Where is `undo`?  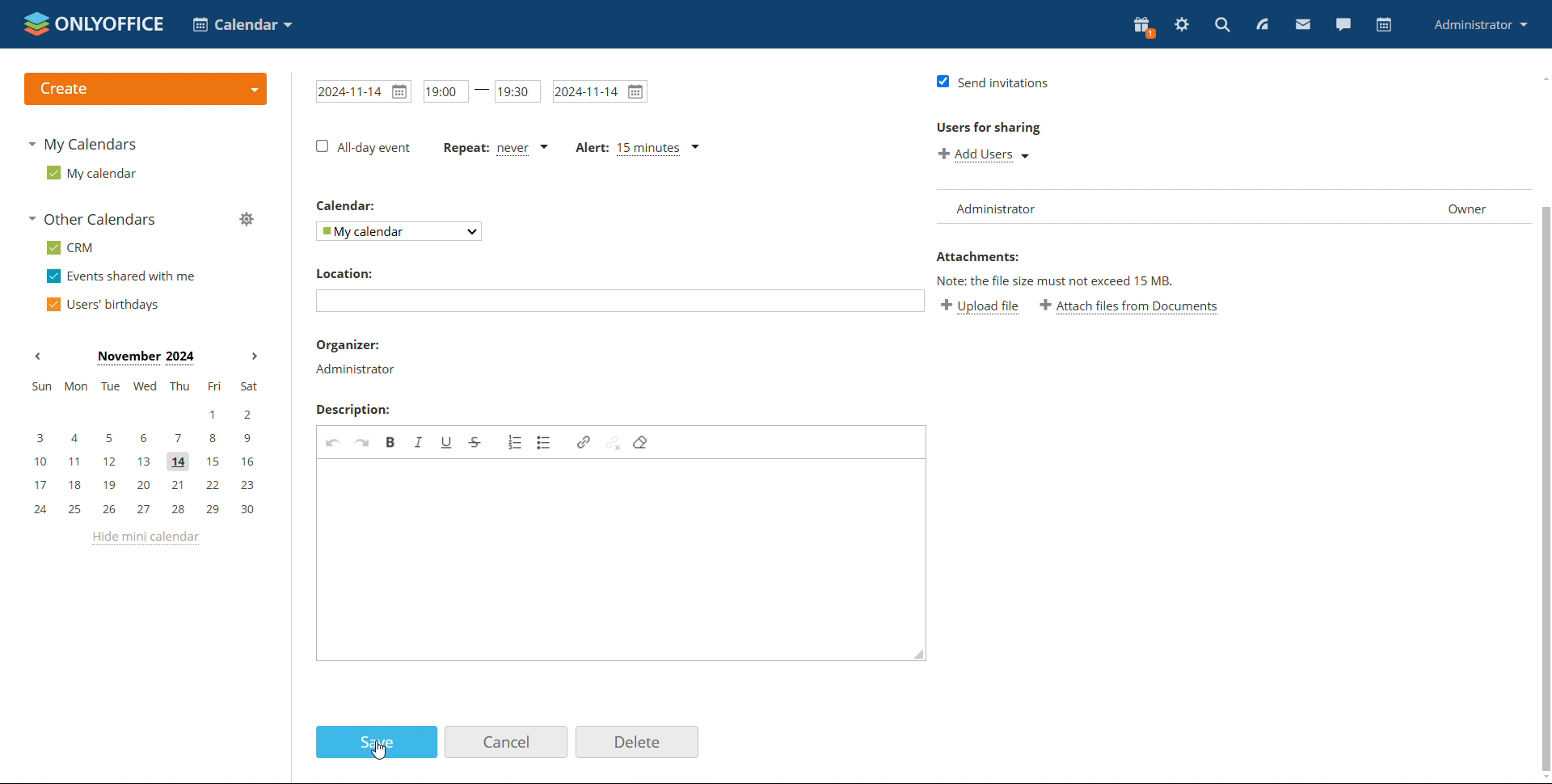 undo is located at coordinates (332, 443).